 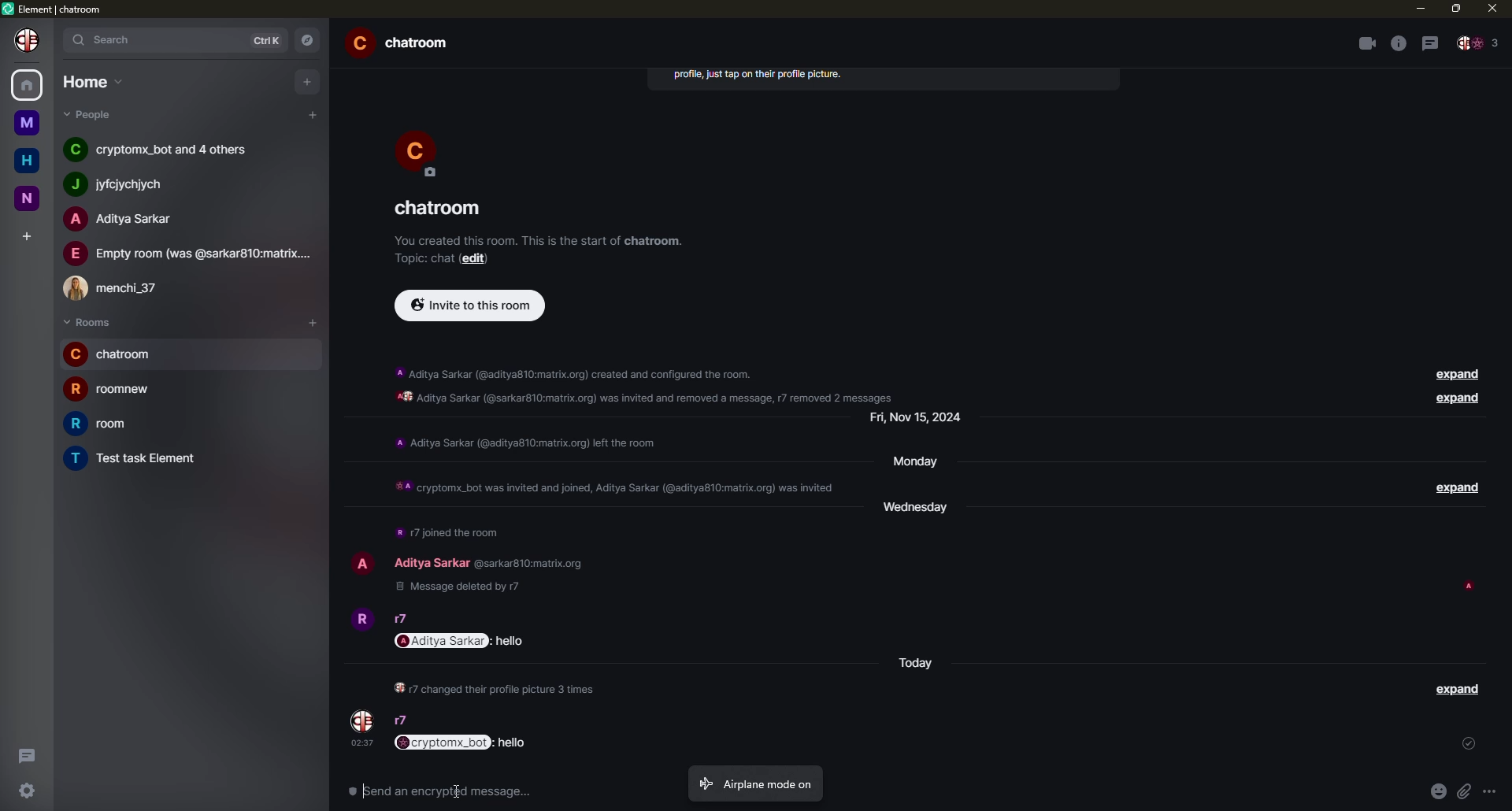 What do you see at coordinates (1461, 488) in the screenshot?
I see `expand` at bounding box center [1461, 488].